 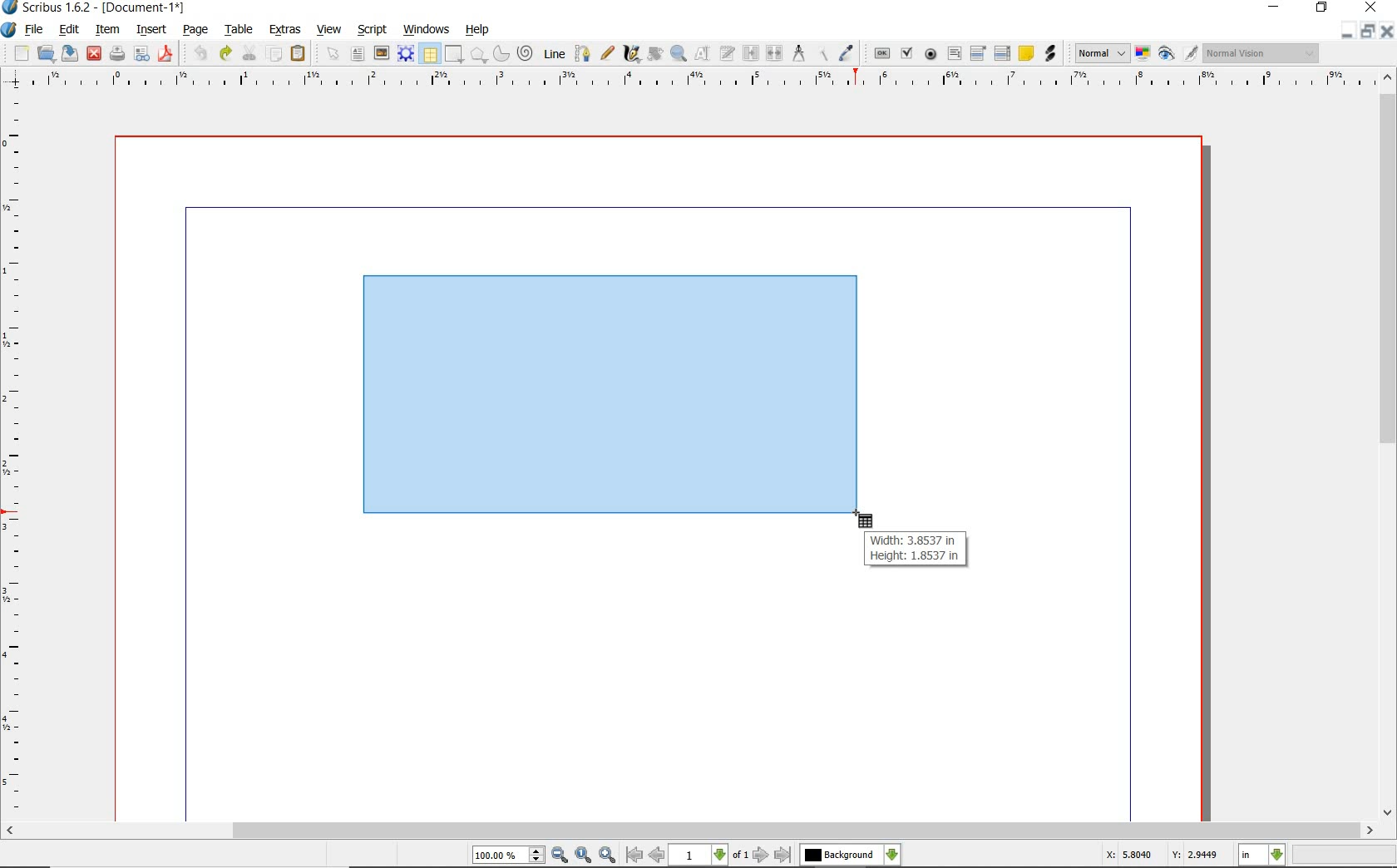 What do you see at coordinates (654, 55) in the screenshot?
I see `rotate item` at bounding box center [654, 55].